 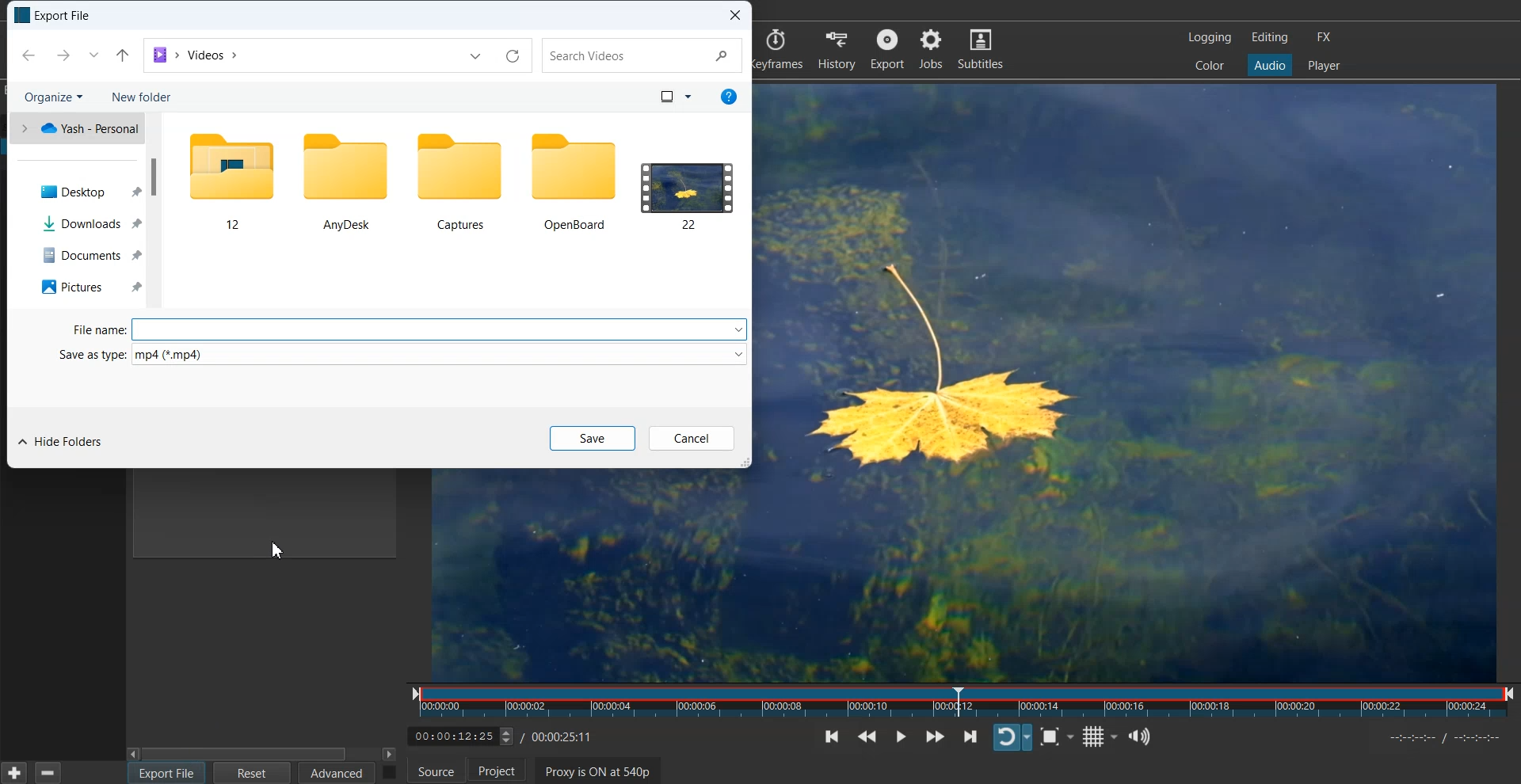 I want to click on Skip to the next point, so click(x=969, y=736).